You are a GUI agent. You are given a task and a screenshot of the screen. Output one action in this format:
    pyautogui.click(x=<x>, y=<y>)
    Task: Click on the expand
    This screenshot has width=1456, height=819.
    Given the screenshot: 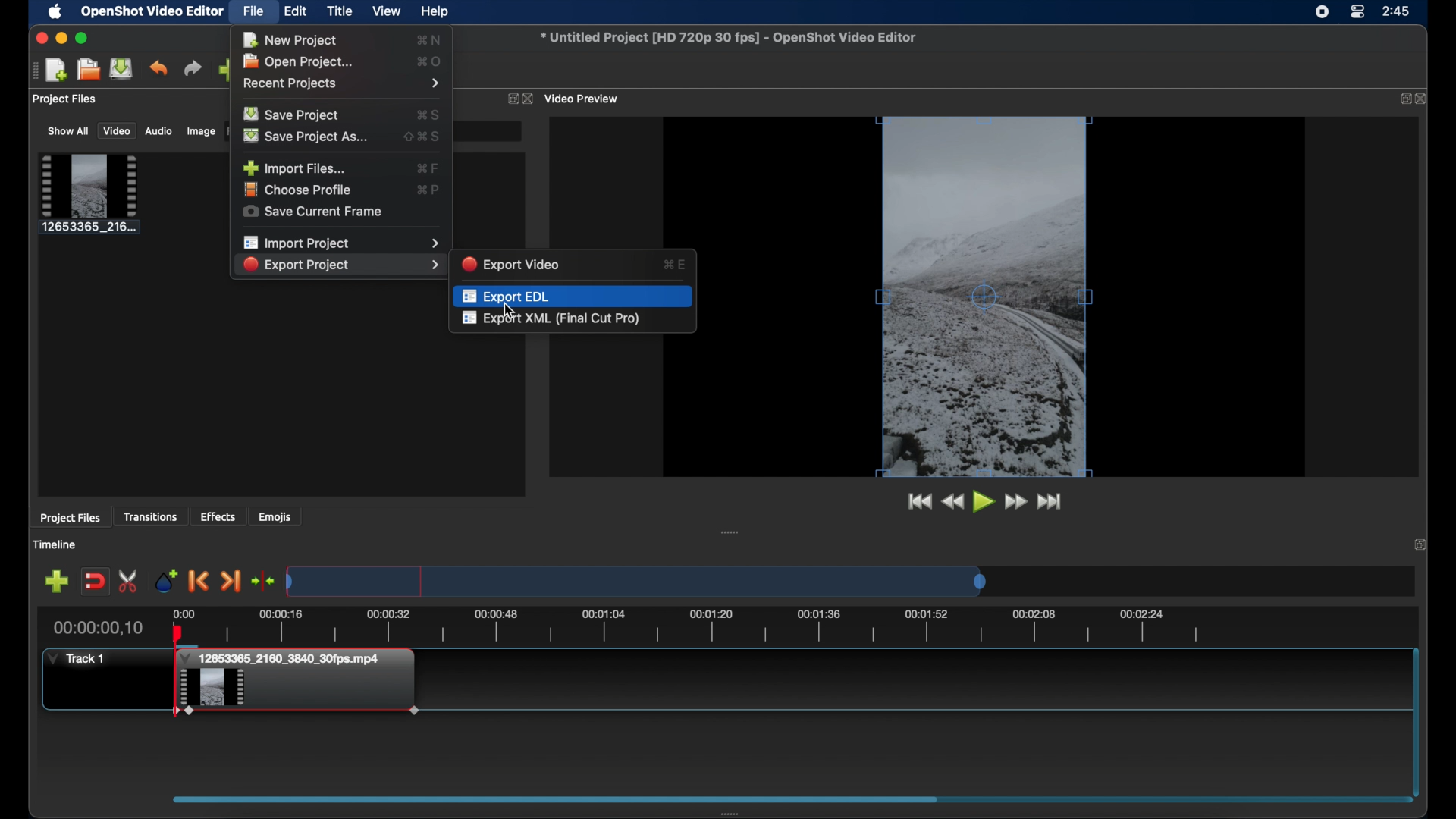 What is the action you would take?
    pyautogui.click(x=509, y=98)
    